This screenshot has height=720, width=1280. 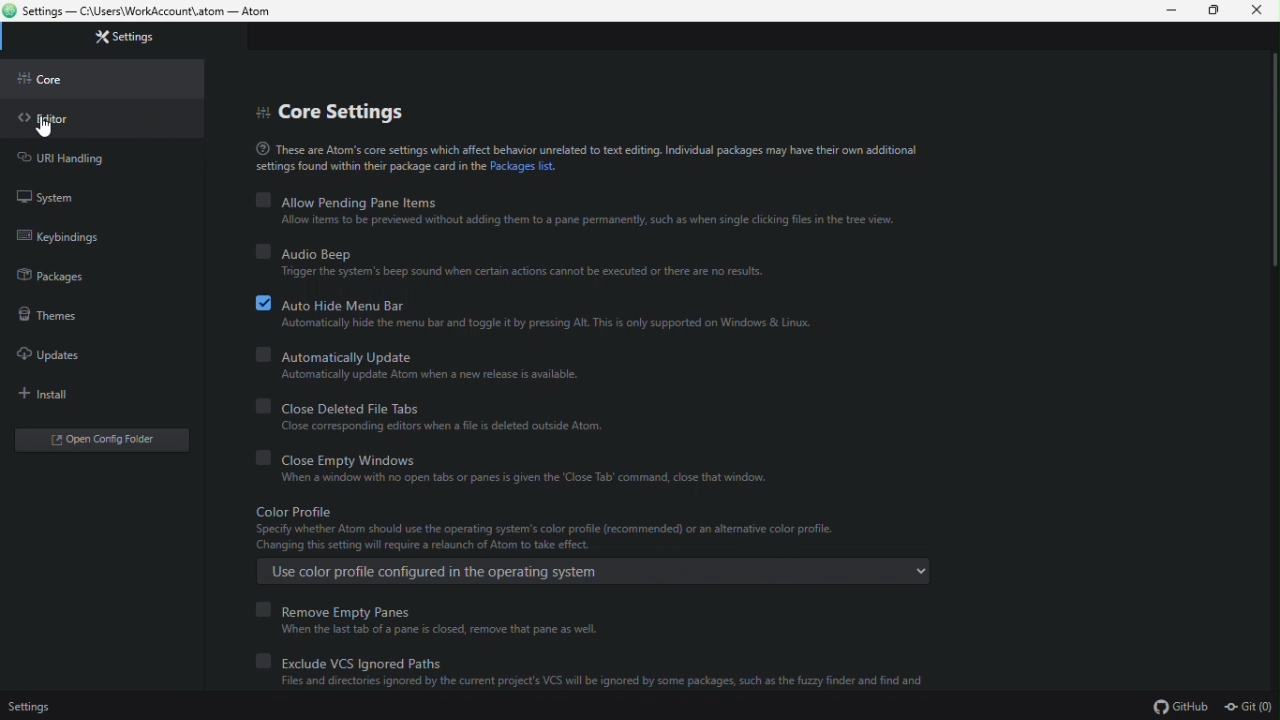 I want to click on “Trigger the system's beep sound when certain actions cannot be executed or there are no results., so click(x=518, y=273).